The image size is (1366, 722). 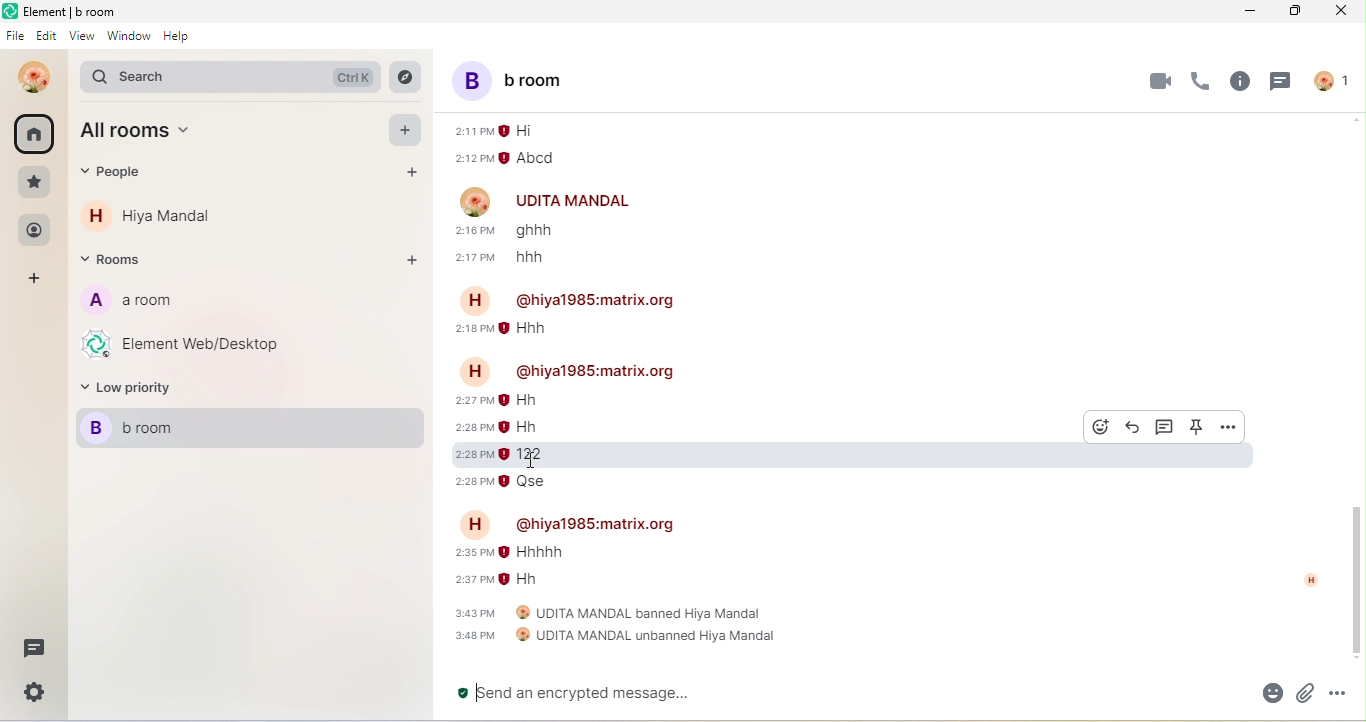 What do you see at coordinates (518, 80) in the screenshot?
I see `b room` at bounding box center [518, 80].